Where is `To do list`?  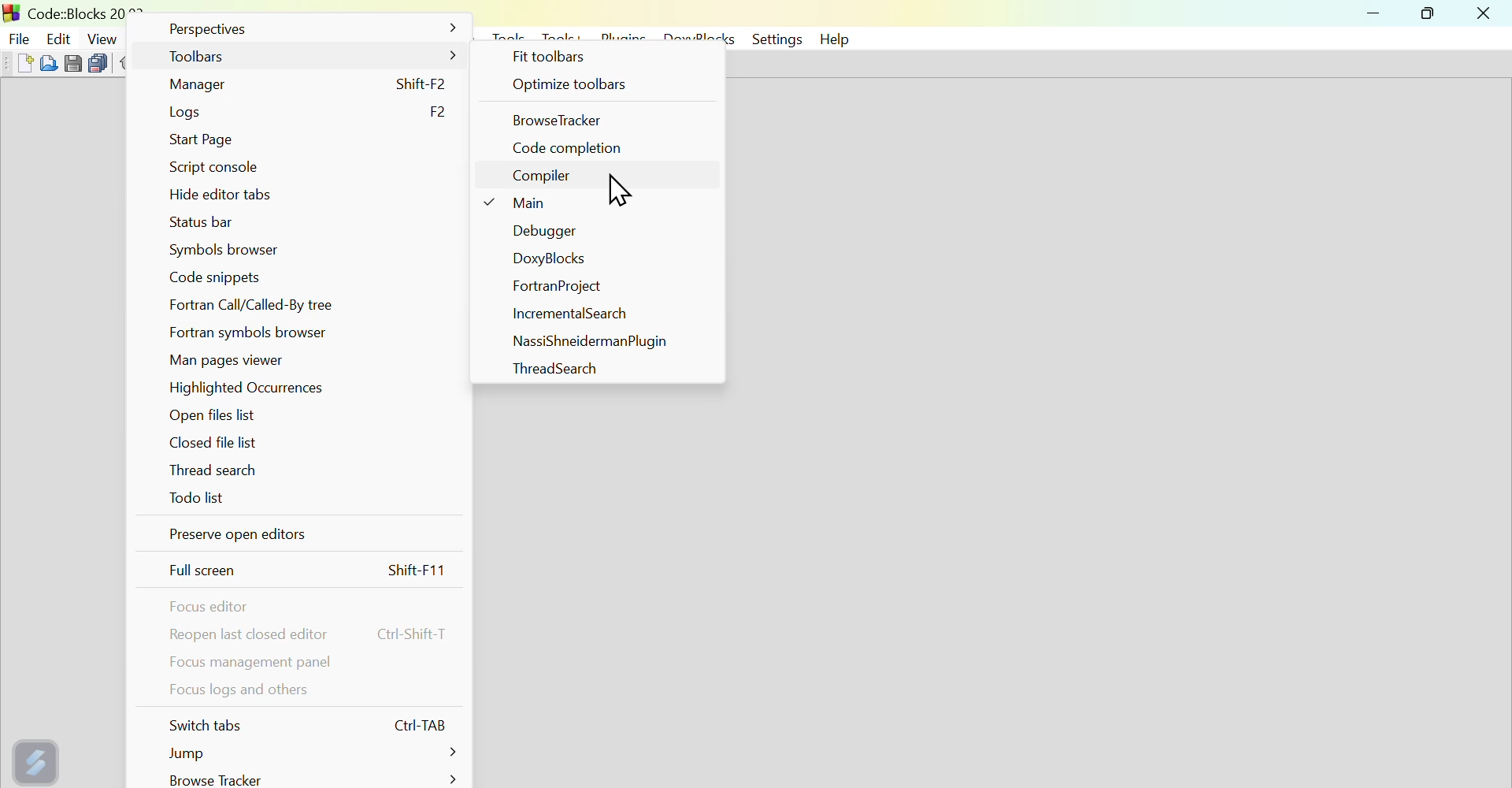 To do list is located at coordinates (199, 504).